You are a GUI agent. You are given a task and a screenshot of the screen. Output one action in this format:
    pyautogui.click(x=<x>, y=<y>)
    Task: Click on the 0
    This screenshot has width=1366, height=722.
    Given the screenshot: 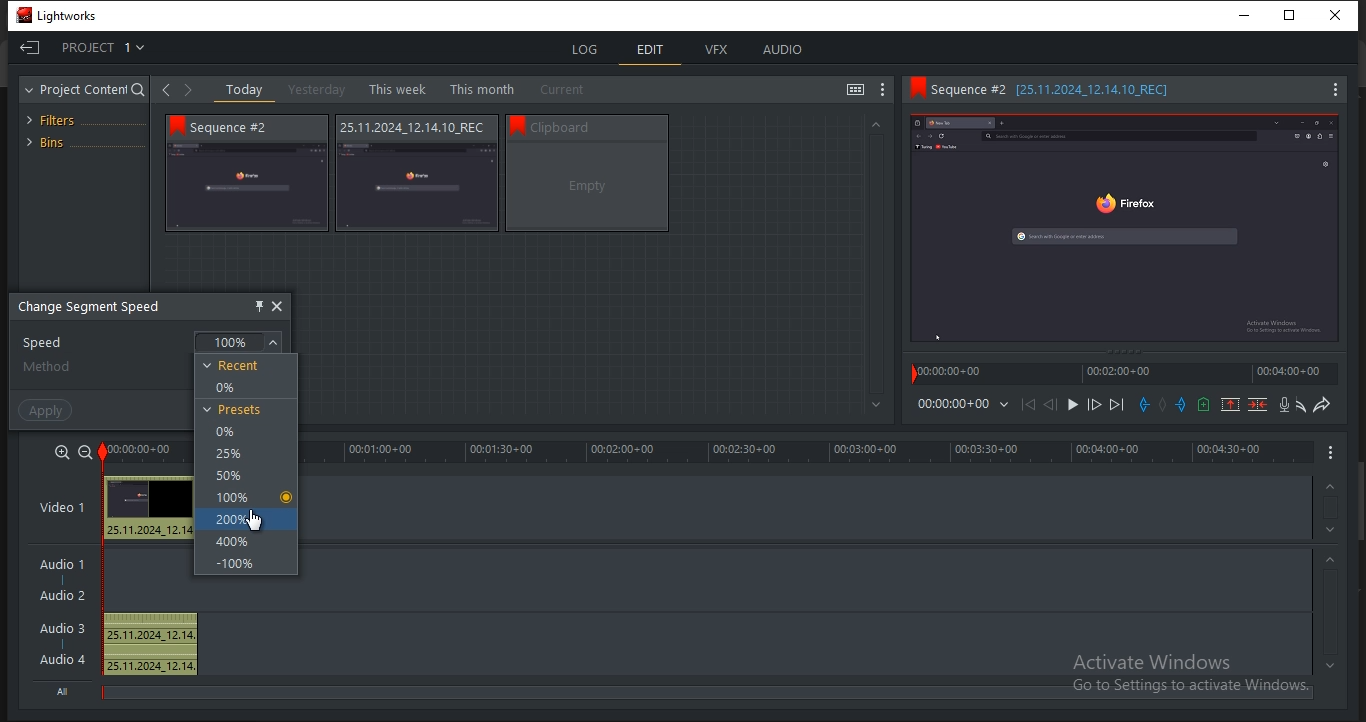 What is the action you would take?
    pyautogui.click(x=233, y=432)
    